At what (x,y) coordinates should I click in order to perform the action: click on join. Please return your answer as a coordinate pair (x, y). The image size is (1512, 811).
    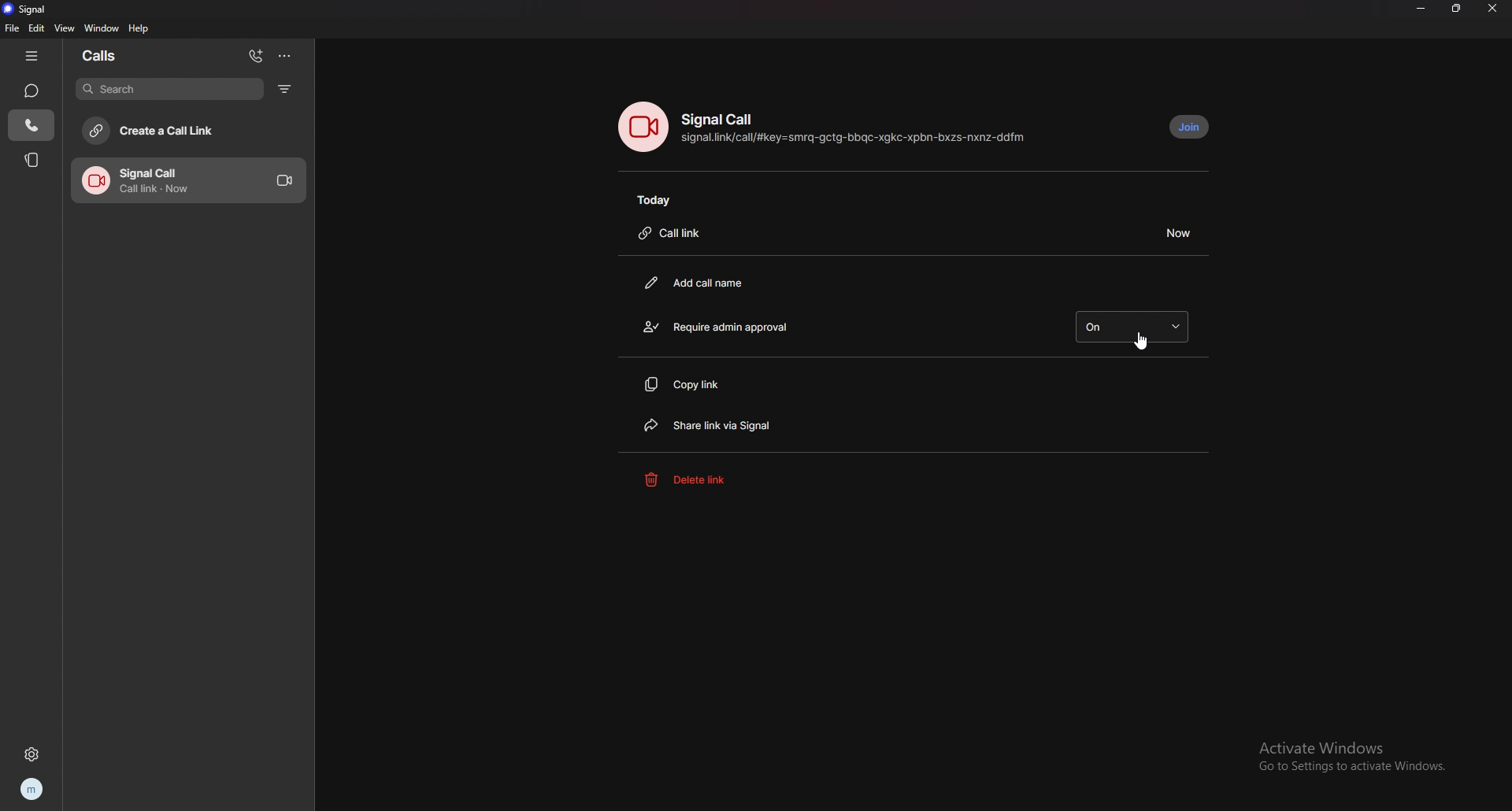
    Looking at the image, I should click on (1190, 127).